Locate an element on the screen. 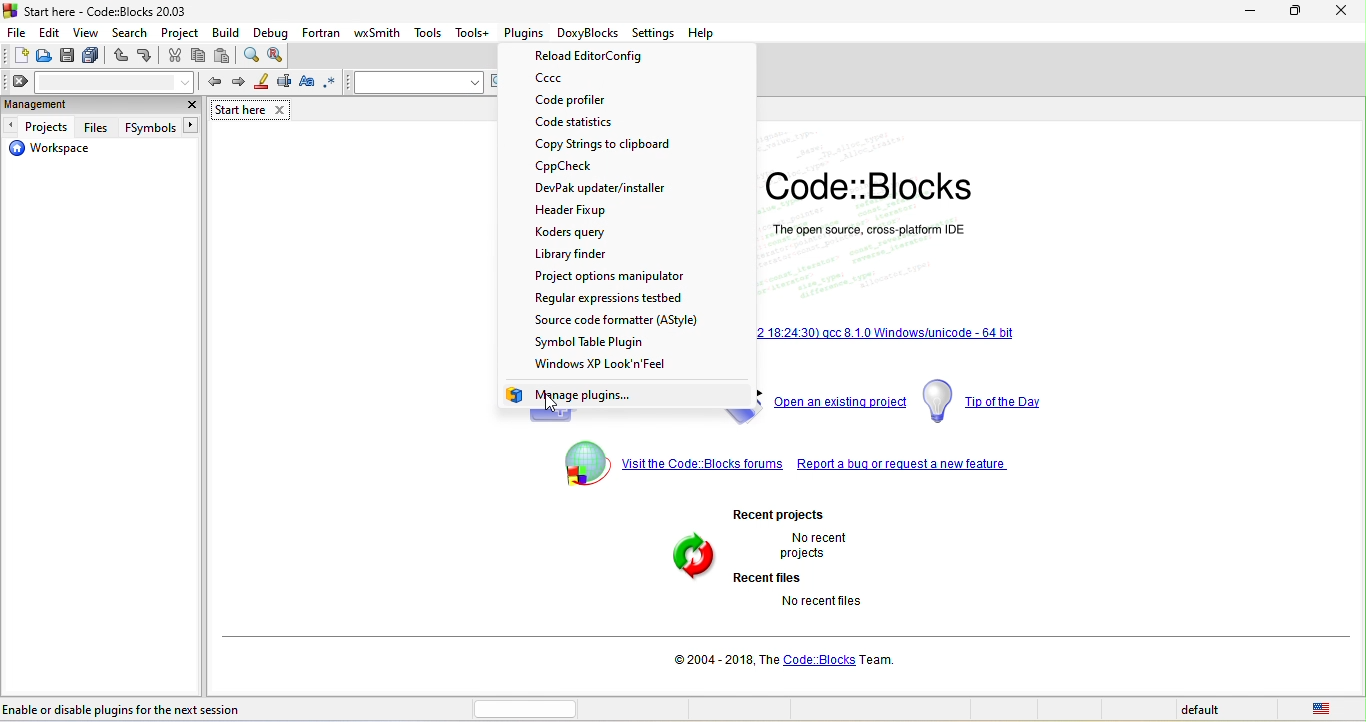 This screenshot has height=722, width=1366. doxyblocks is located at coordinates (590, 33).